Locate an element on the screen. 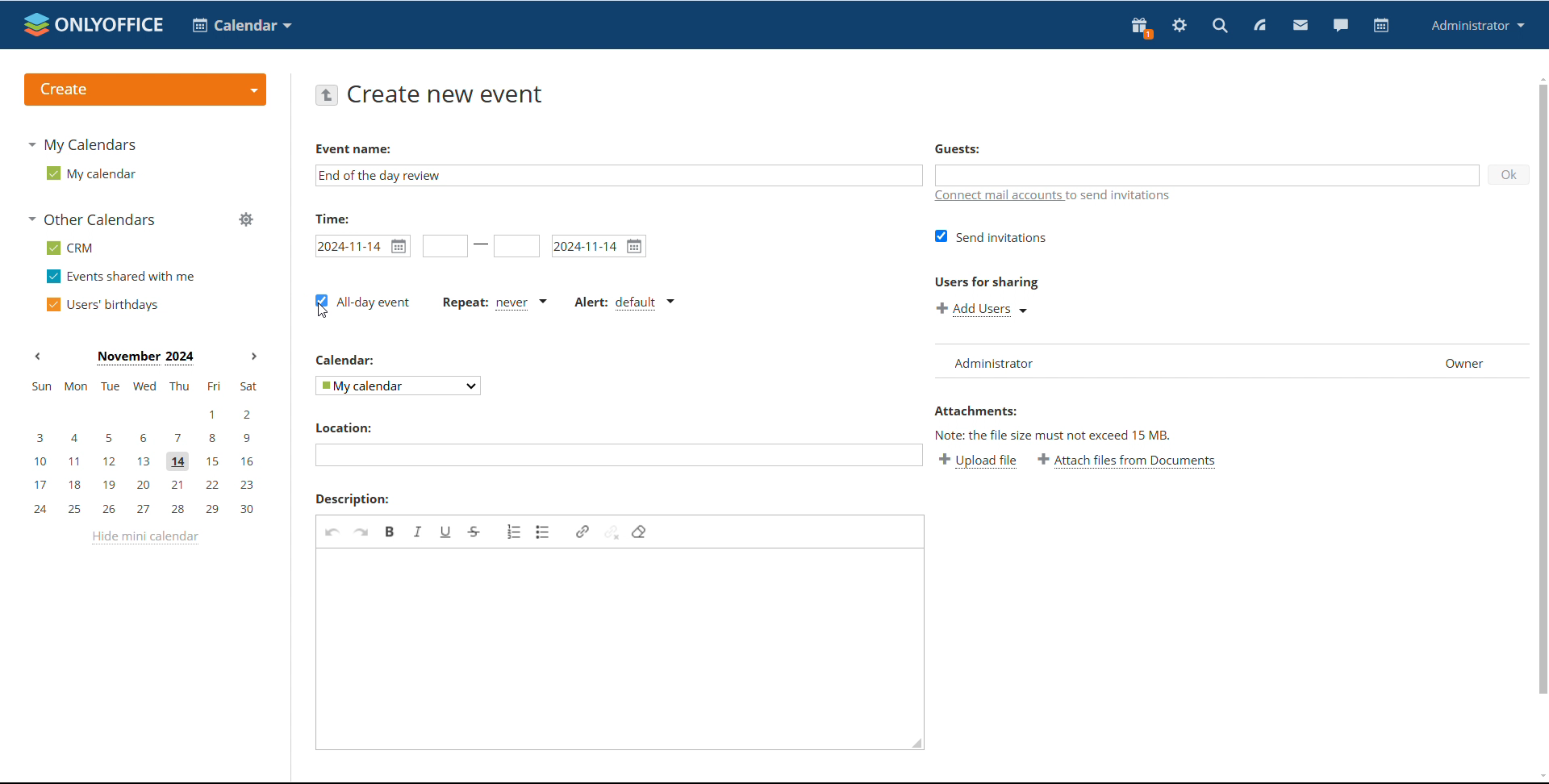 The width and height of the screenshot is (1549, 784). my calendars is located at coordinates (81, 144).